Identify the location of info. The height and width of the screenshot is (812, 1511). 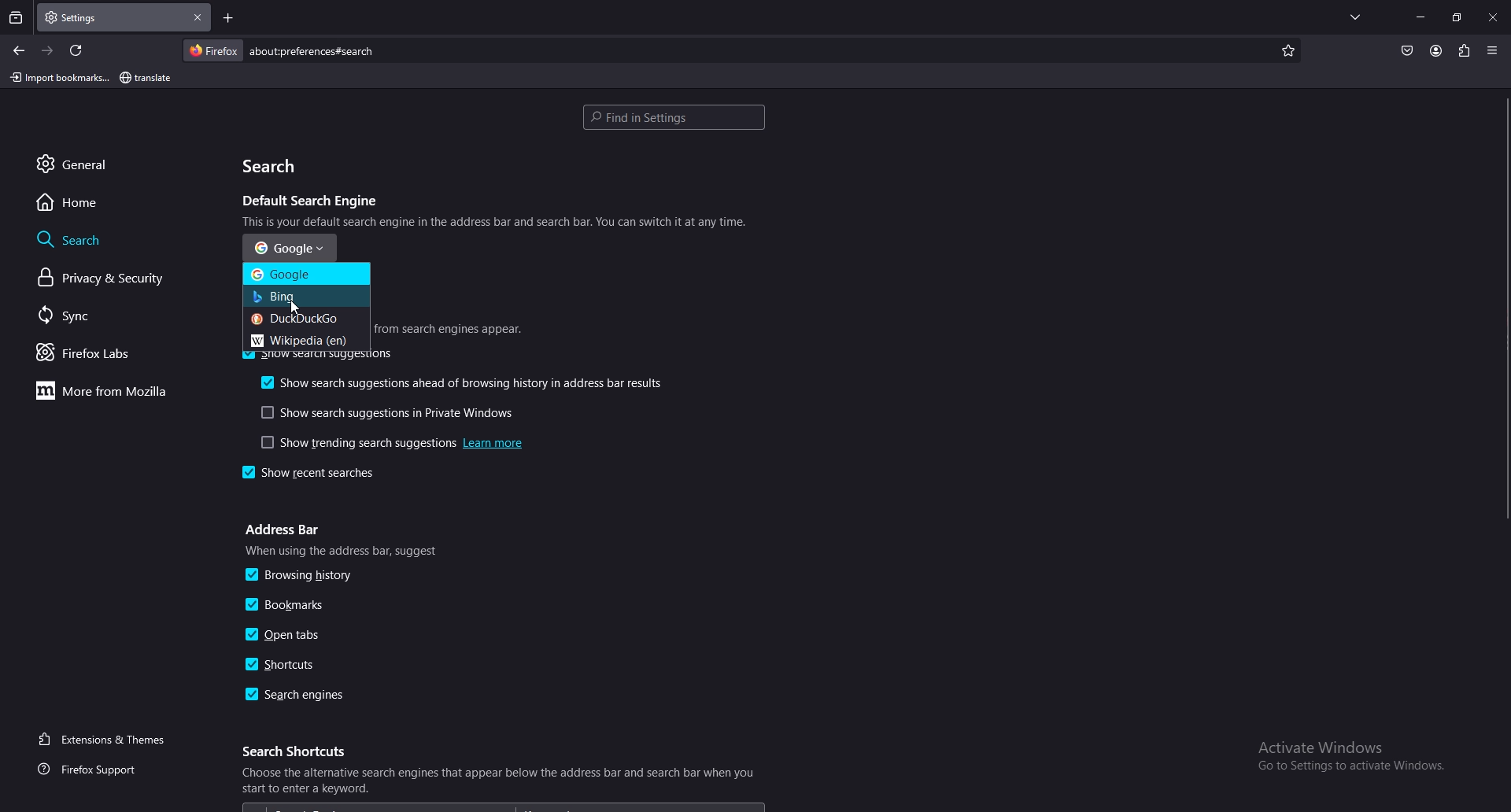
(496, 788).